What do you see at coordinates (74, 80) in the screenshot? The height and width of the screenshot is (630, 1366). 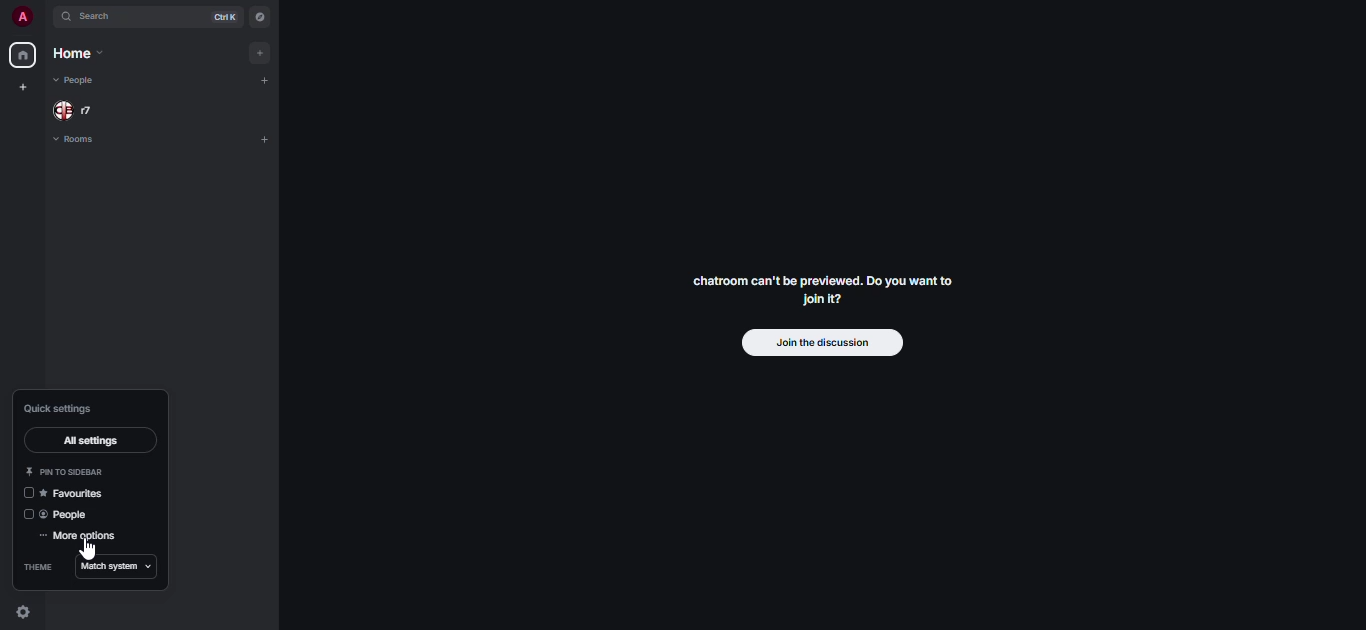 I see `people` at bounding box center [74, 80].